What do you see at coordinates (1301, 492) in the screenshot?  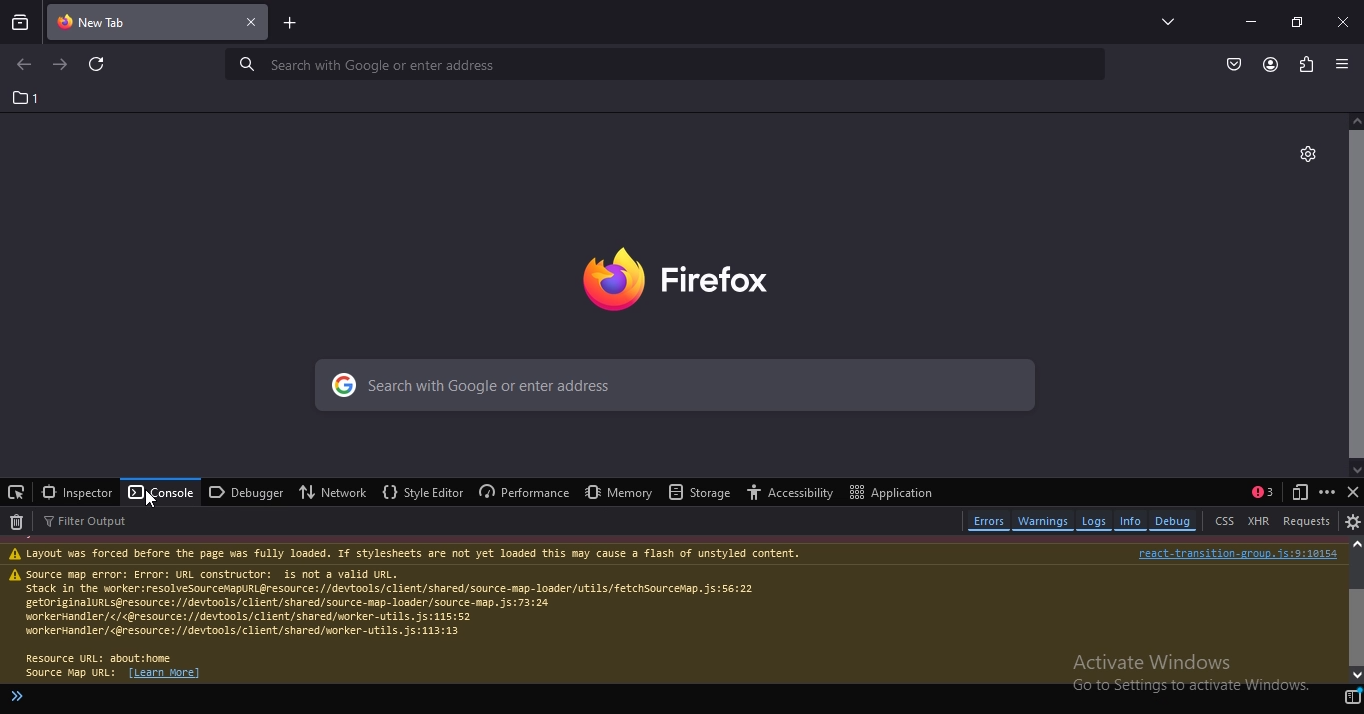 I see `responsive deign mode` at bounding box center [1301, 492].